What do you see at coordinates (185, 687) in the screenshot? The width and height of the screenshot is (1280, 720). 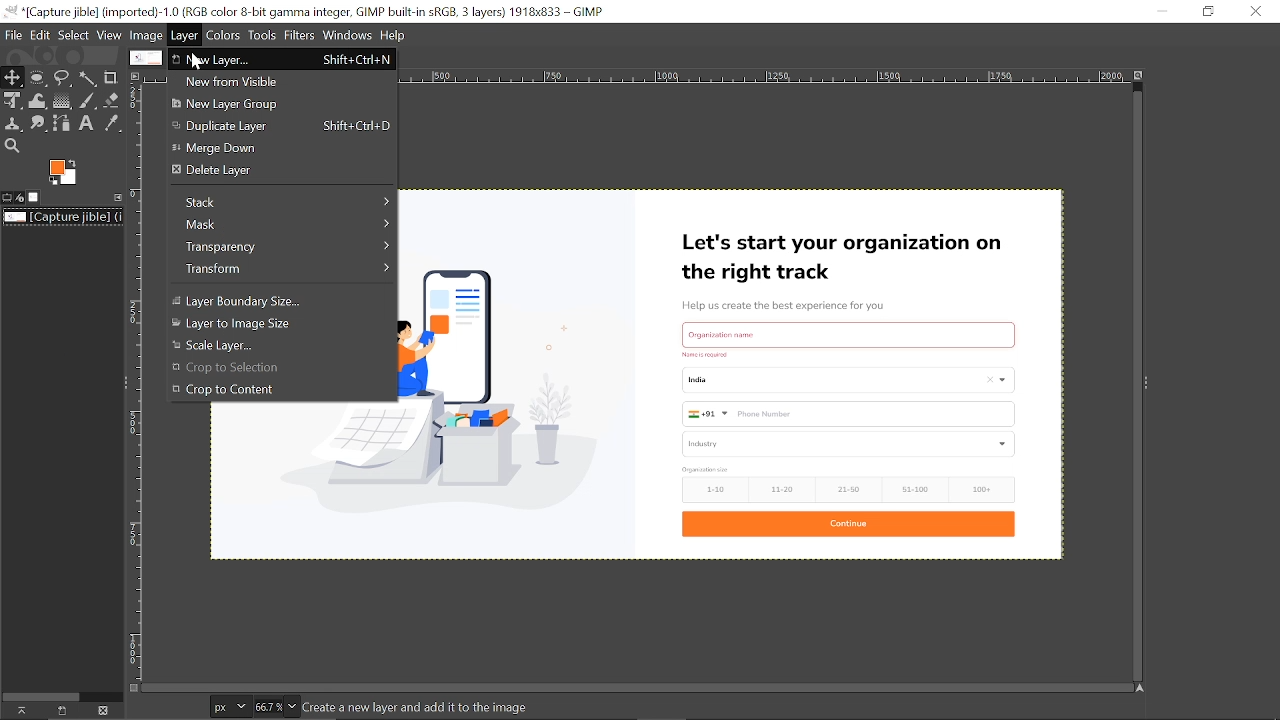 I see `Horizontal scrollbar for tools` at bounding box center [185, 687].